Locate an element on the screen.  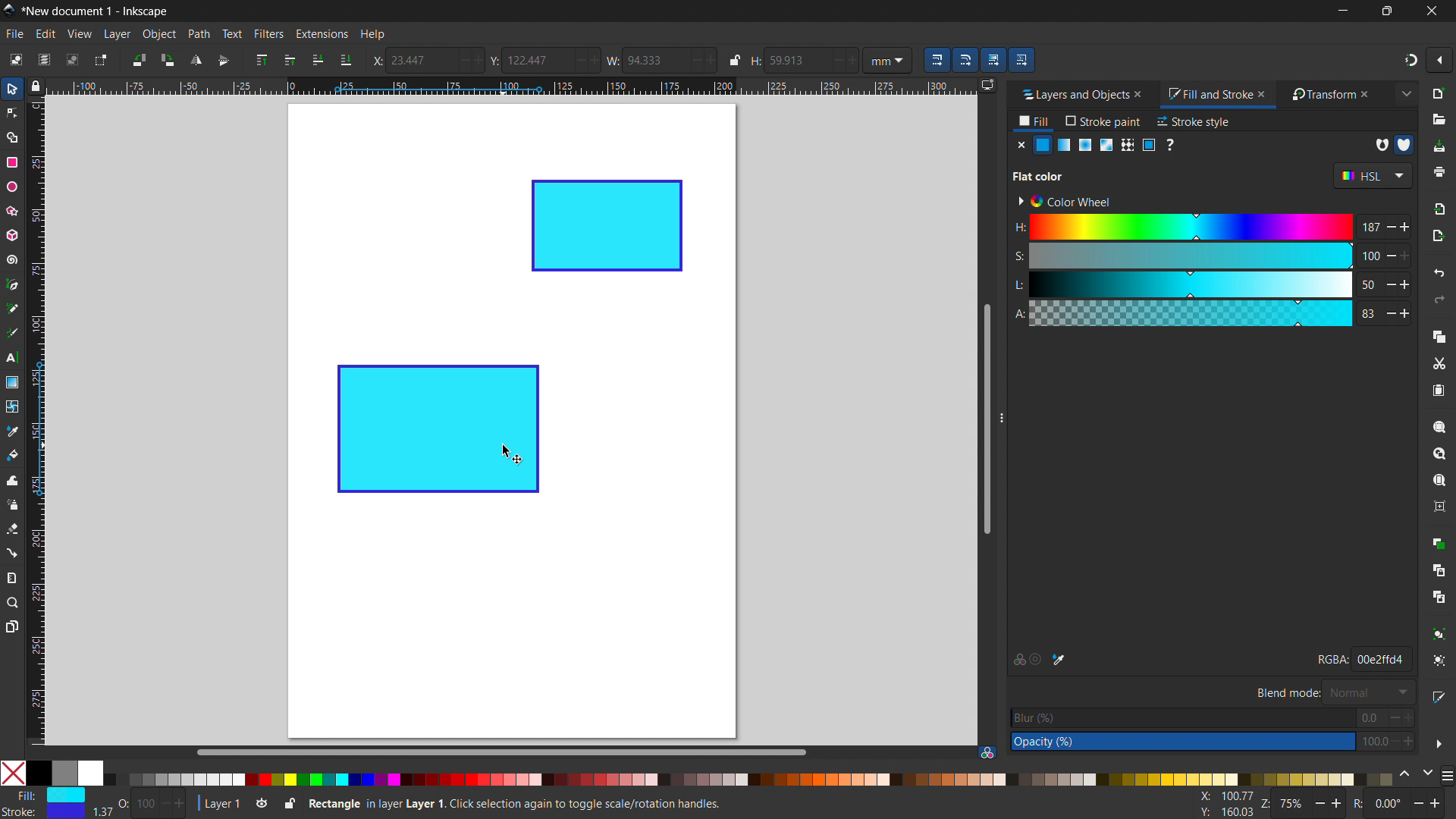
import is located at coordinates (1441, 208).